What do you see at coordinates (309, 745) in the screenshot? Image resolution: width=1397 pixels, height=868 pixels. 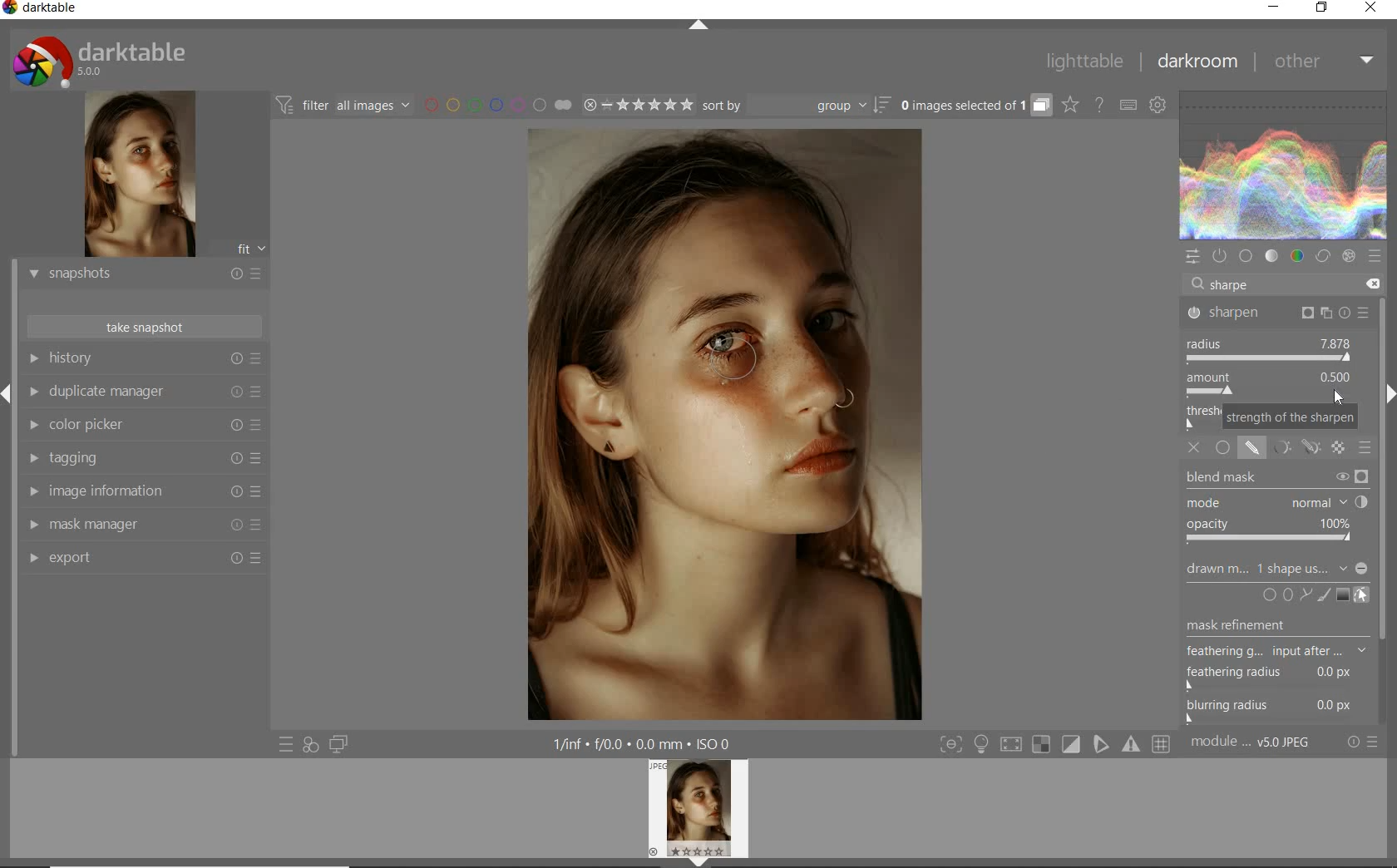 I see `quick access for applying any of your styles` at bounding box center [309, 745].